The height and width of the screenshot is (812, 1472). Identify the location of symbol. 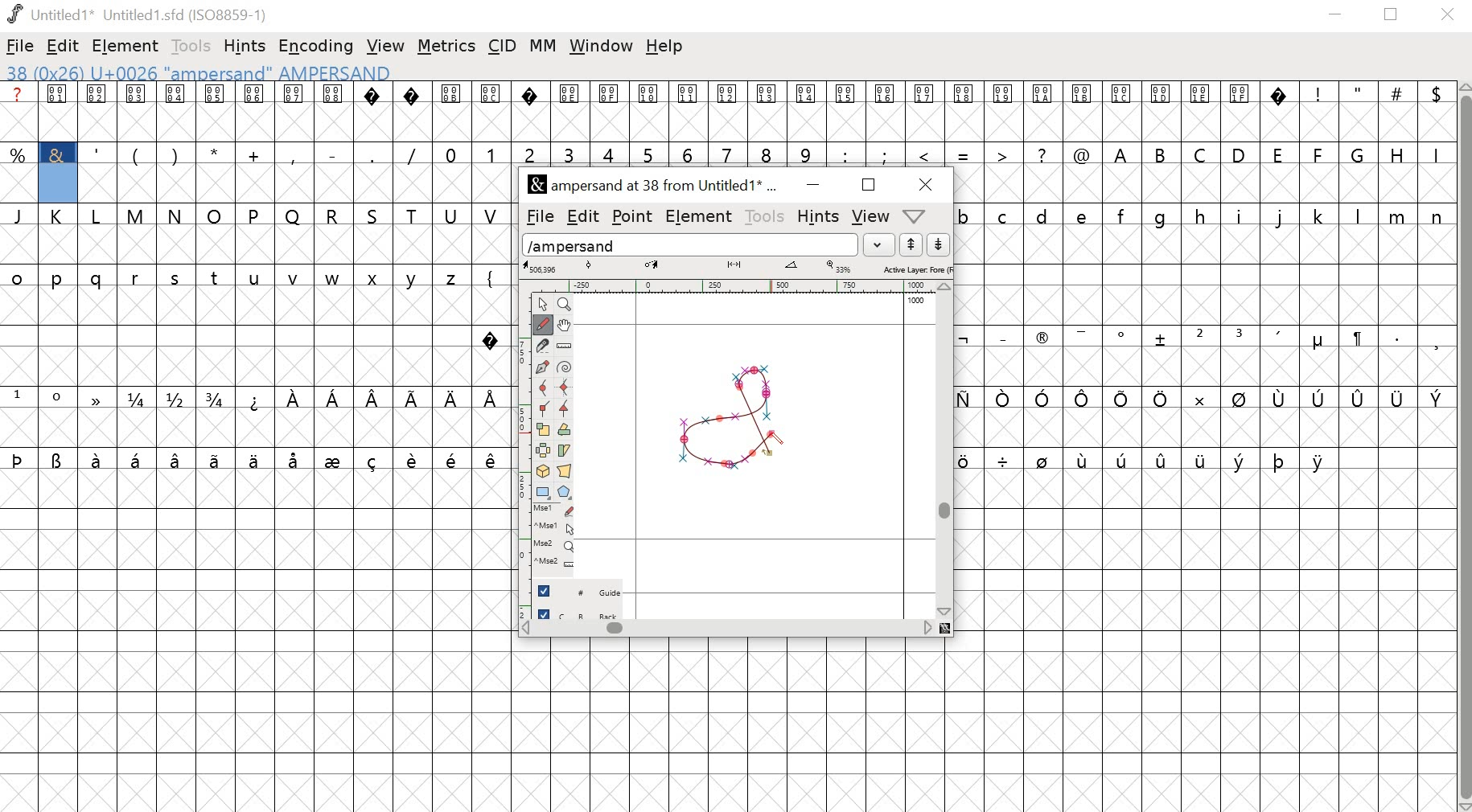
(19, 458).